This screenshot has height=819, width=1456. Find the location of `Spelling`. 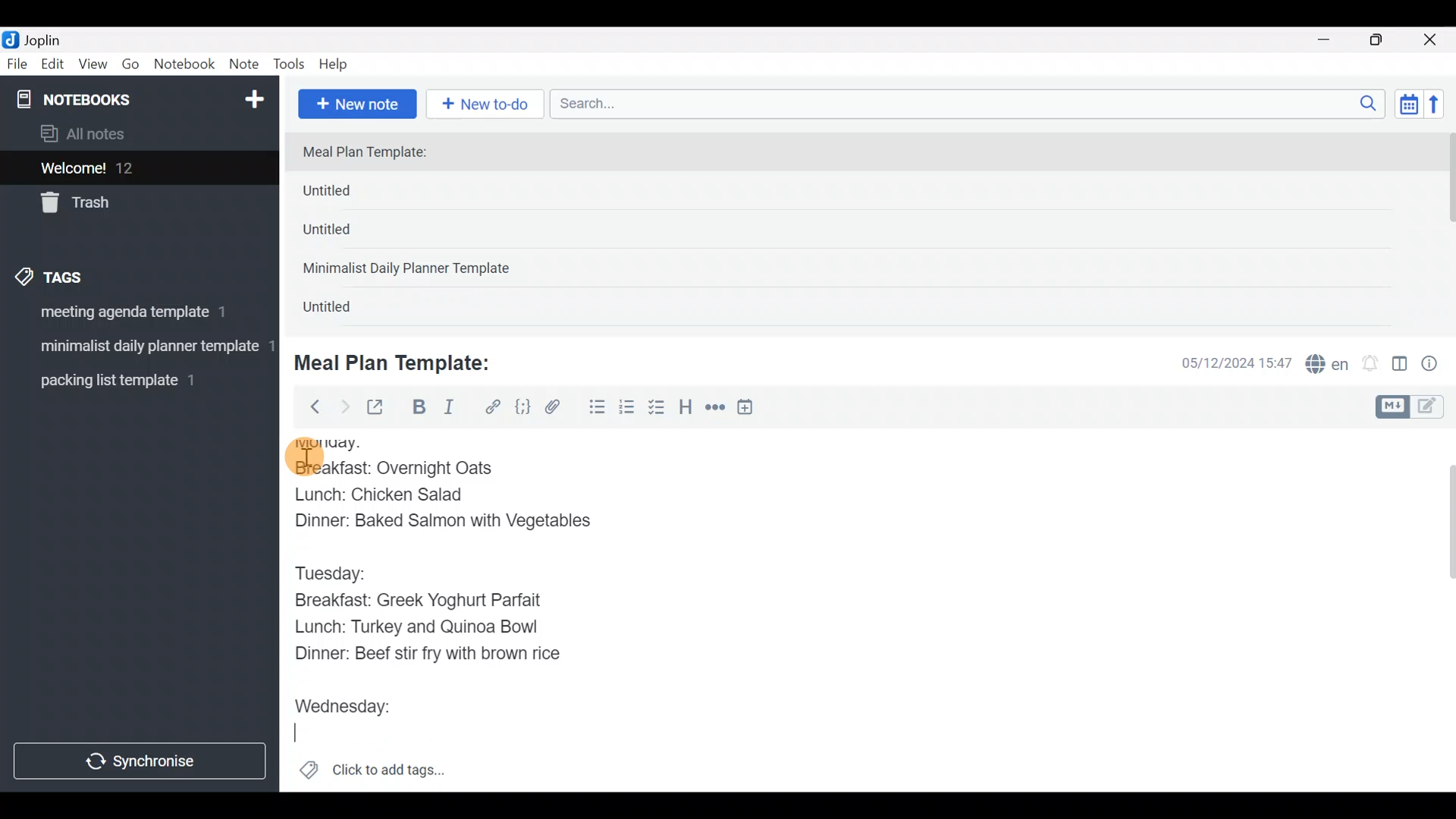

Spelling is located at coordinates (1328, 366).